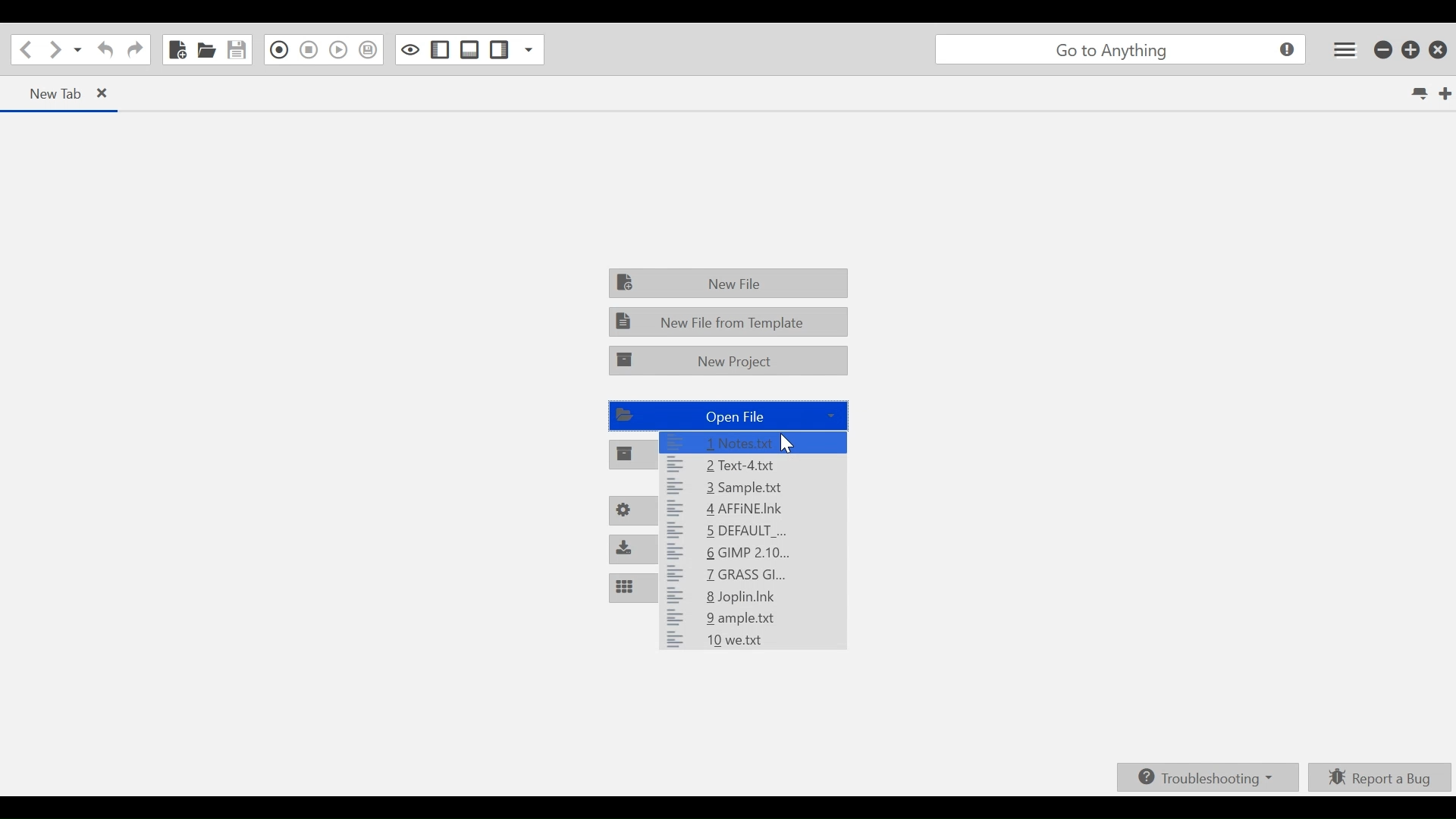 The width and height of the screenshot is (1456, 819). Describe the element at coordinates (336, 52) in the screenshot. I see `Play Last Macro` at that location.